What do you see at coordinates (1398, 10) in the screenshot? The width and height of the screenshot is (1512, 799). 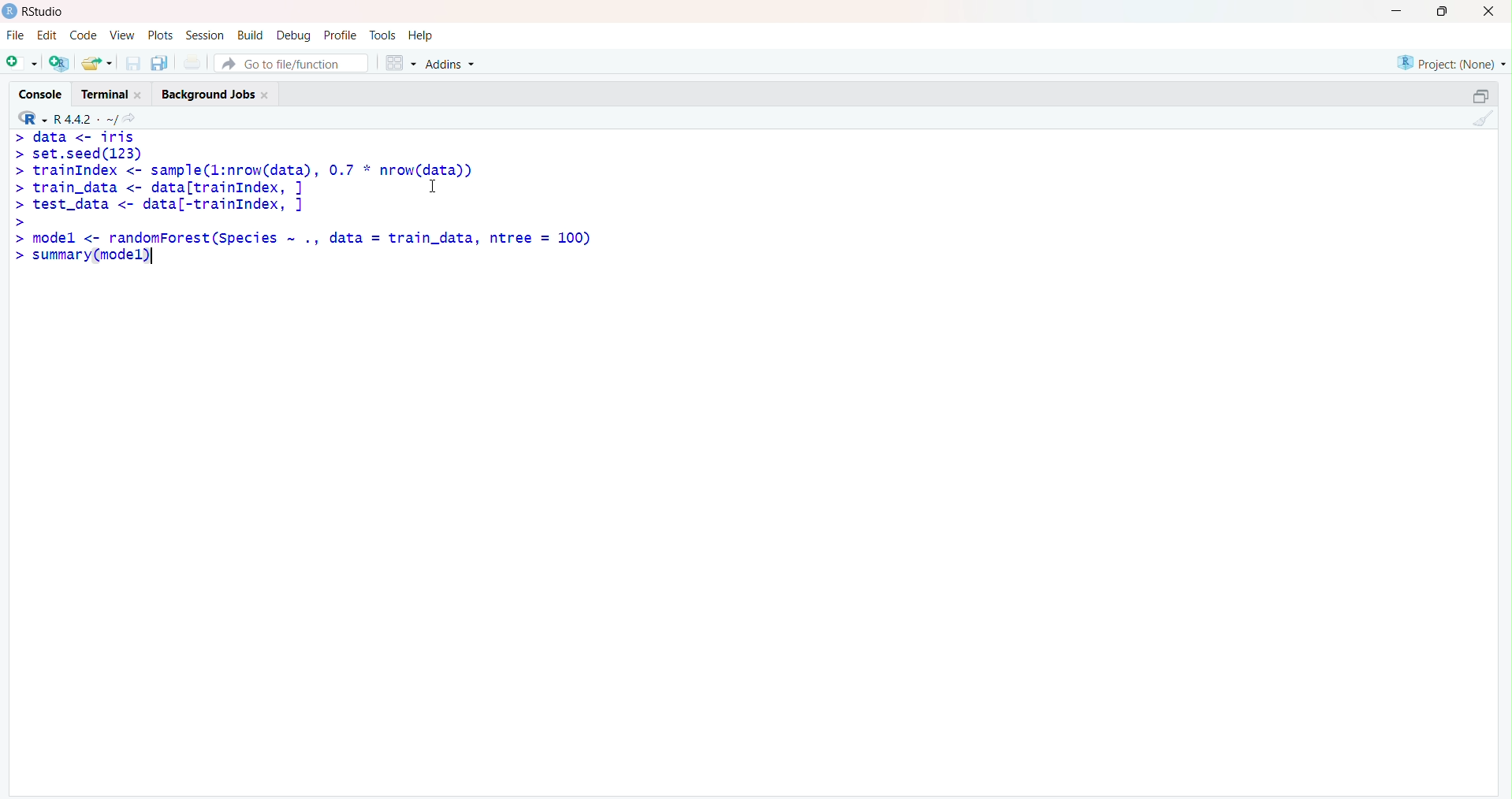 I see `Minimize` at bounding box center [1398, 10].